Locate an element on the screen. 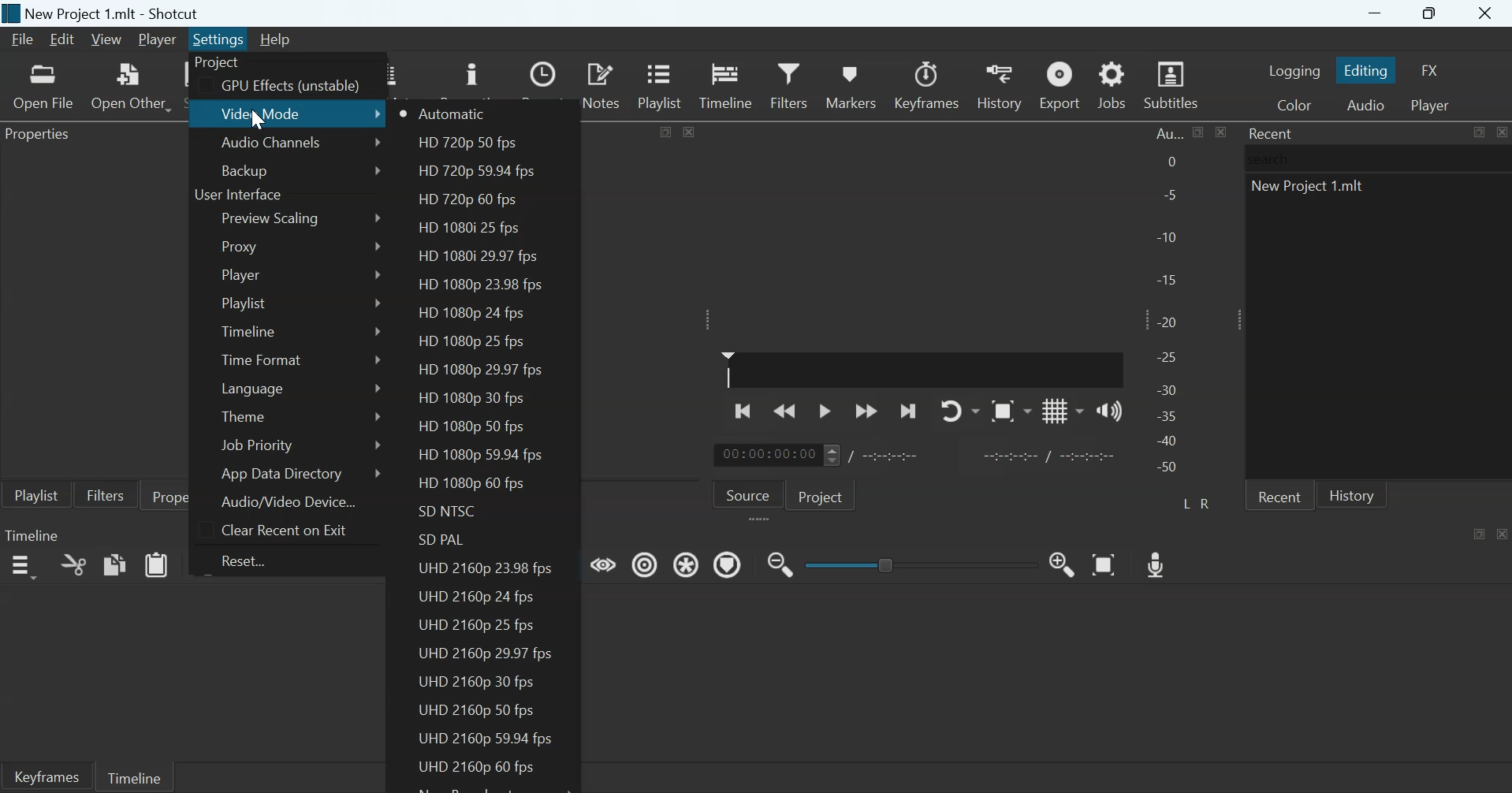 The height and width of the screenshot is (793, 1512). HD 1080i 29.97 fps is located at coordinates (477, 255).